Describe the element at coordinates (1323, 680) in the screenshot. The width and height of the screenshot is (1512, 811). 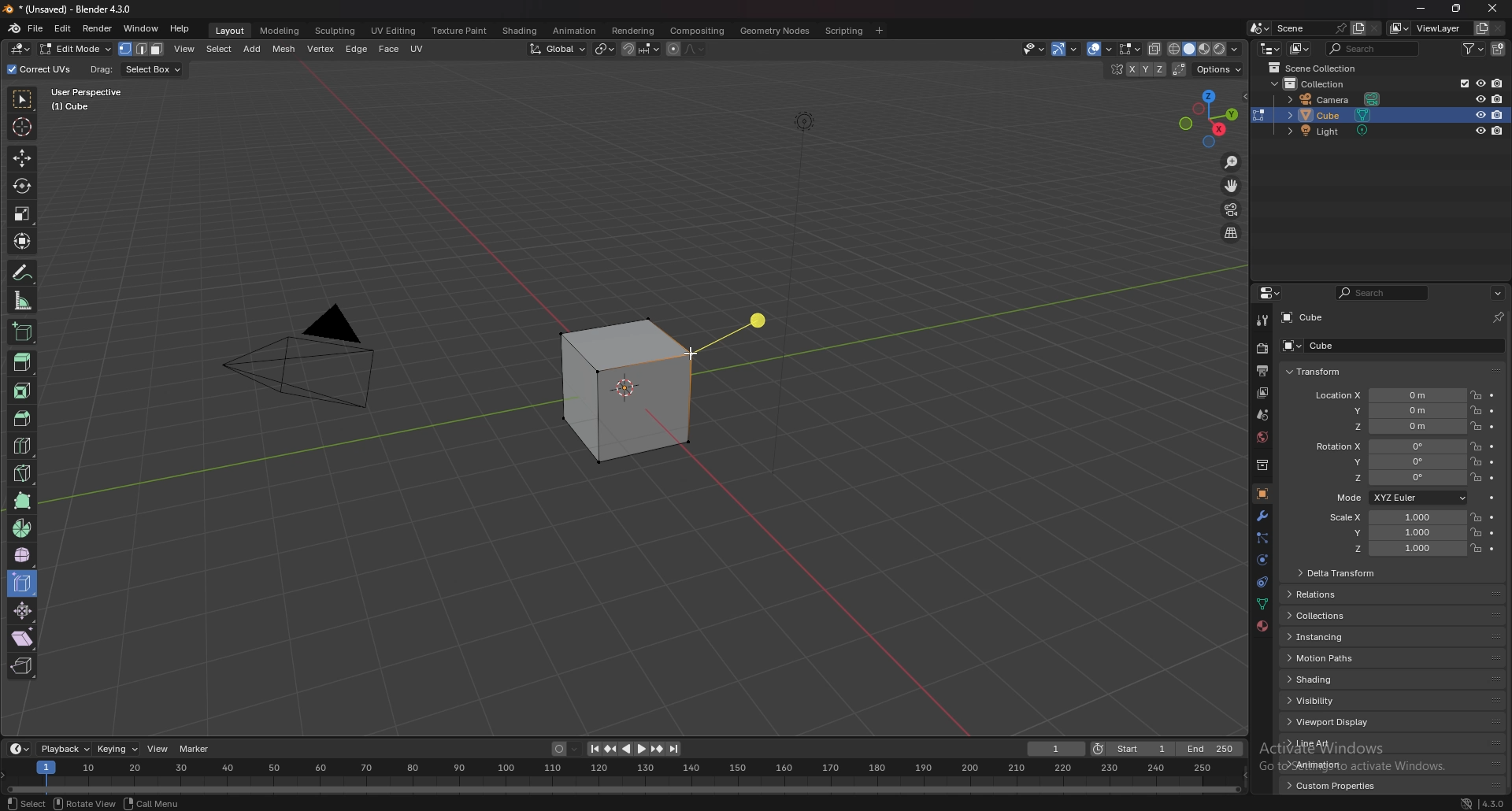
I see `shading` at that location.